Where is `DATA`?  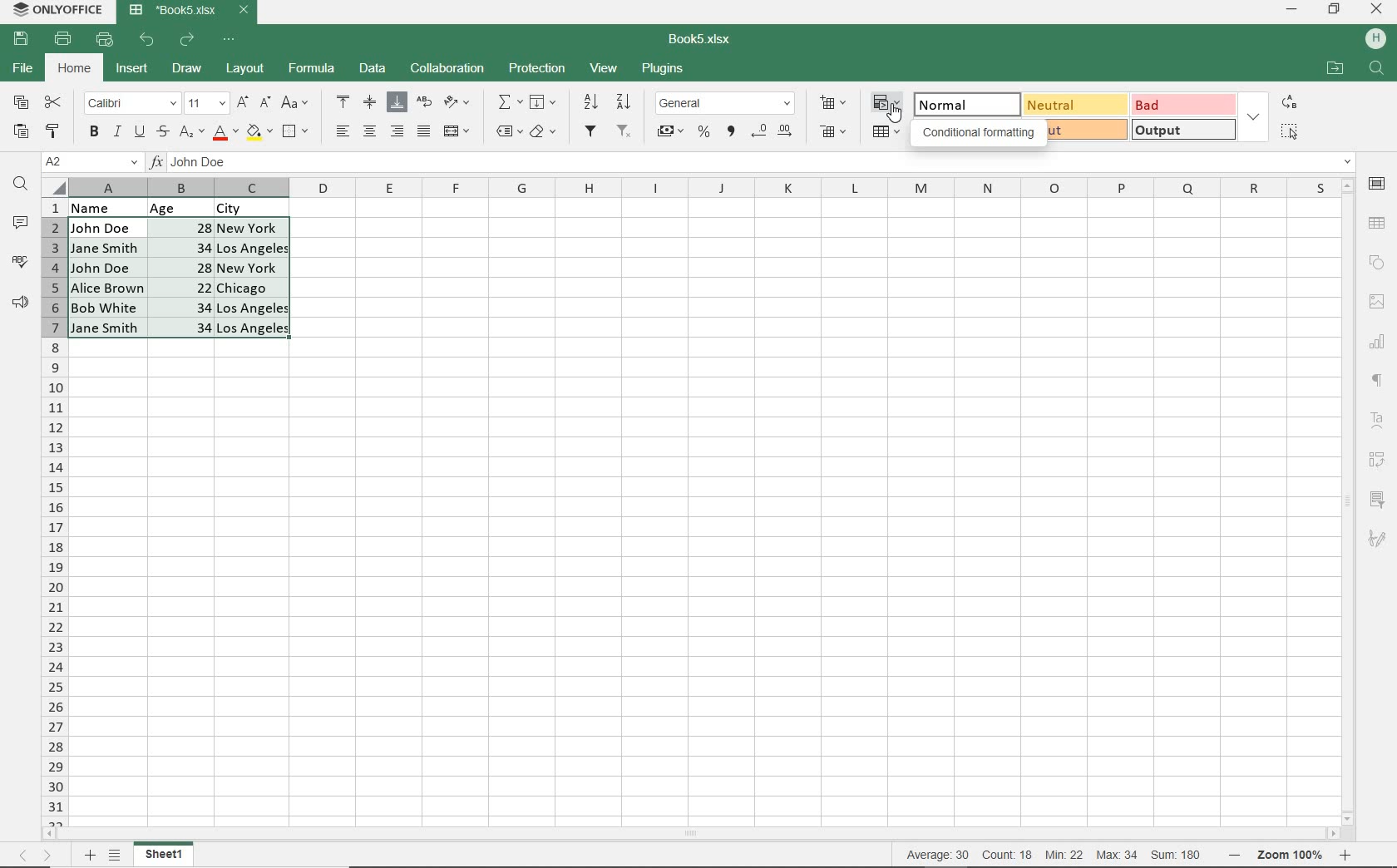 DATA is located at coordinates (192, 206).